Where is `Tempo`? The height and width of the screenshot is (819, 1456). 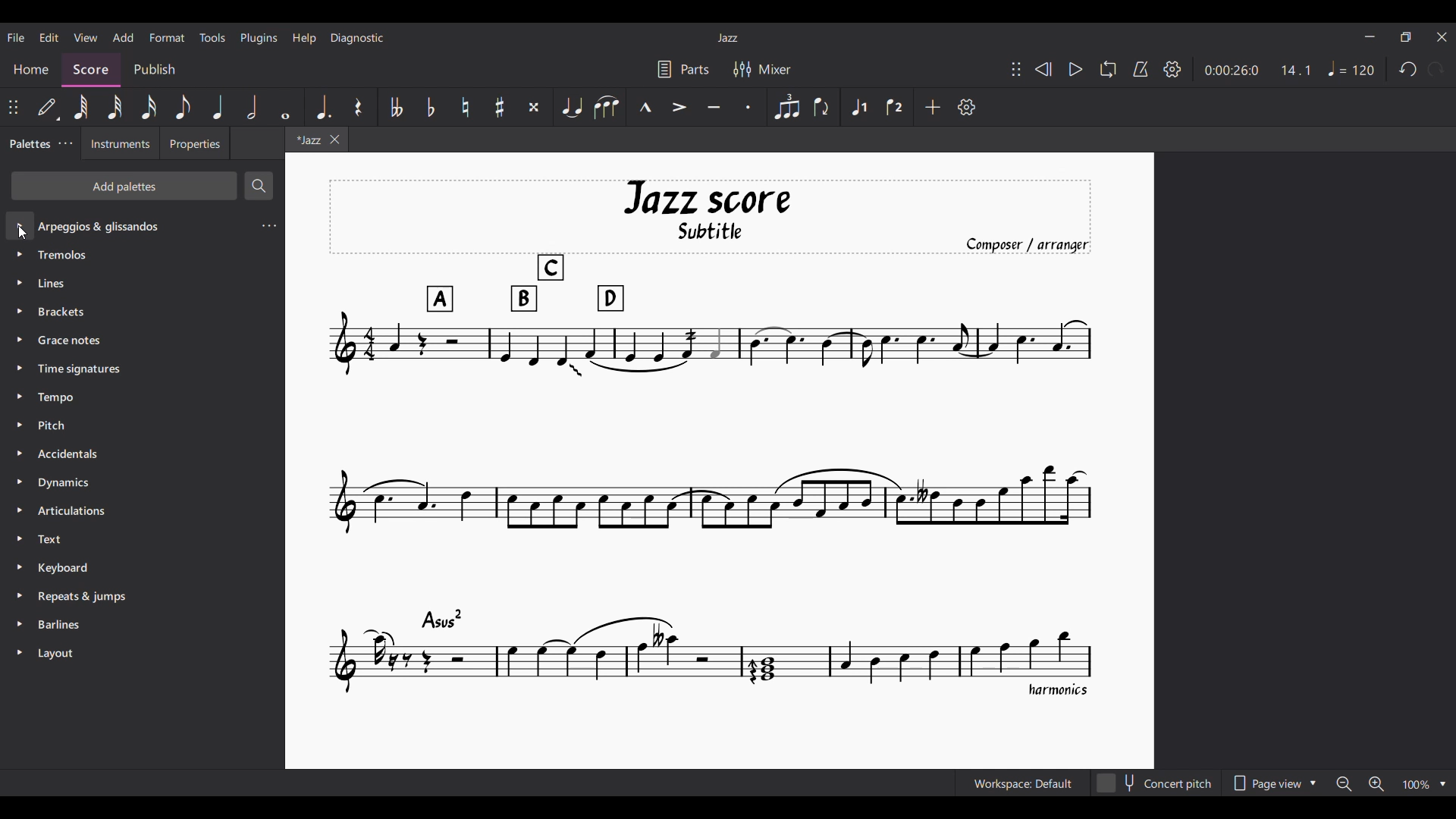 Tempo is located at coordinates (60, 396).